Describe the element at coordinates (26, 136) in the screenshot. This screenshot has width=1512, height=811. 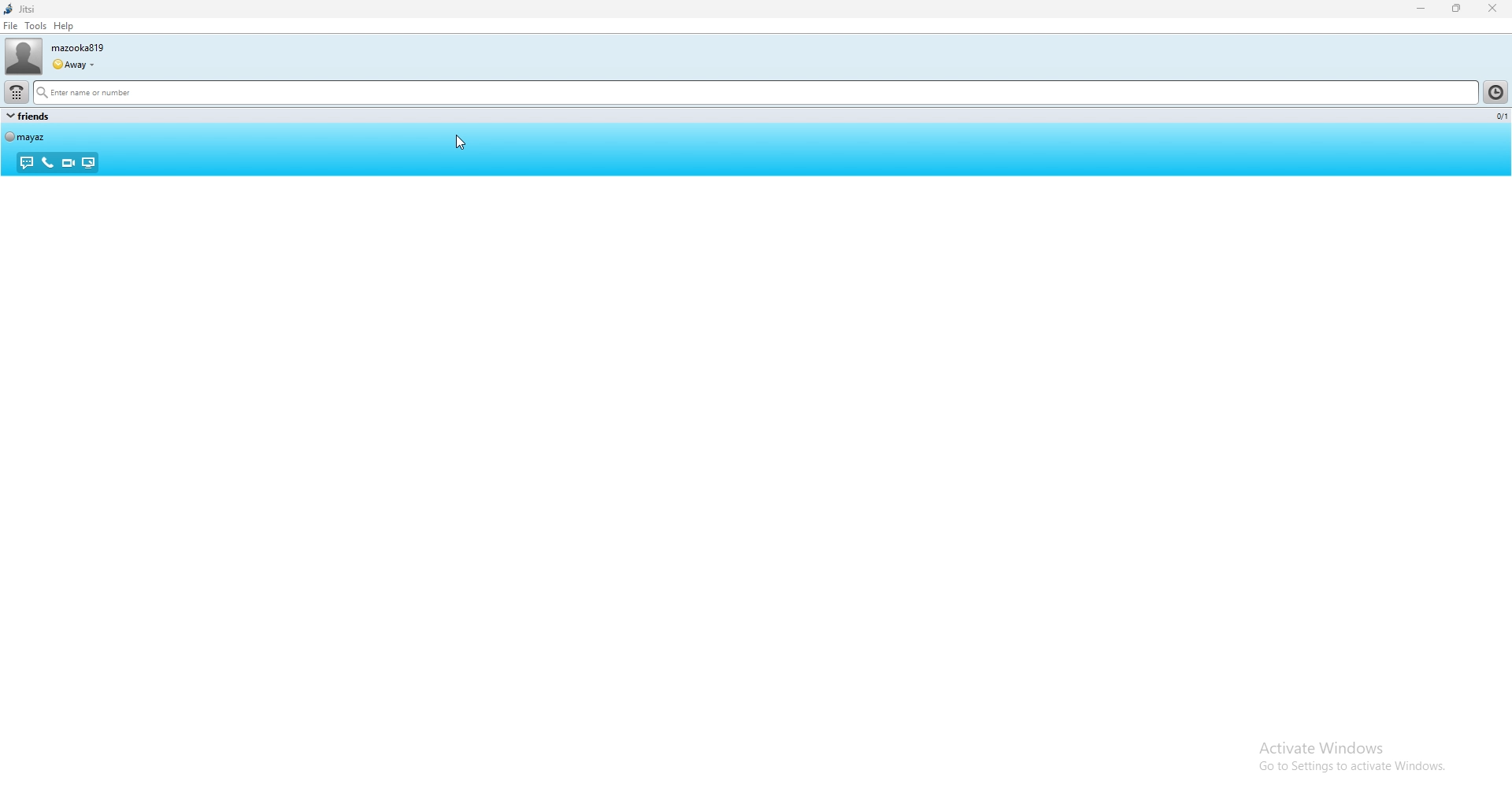
I see `contact` at that location.